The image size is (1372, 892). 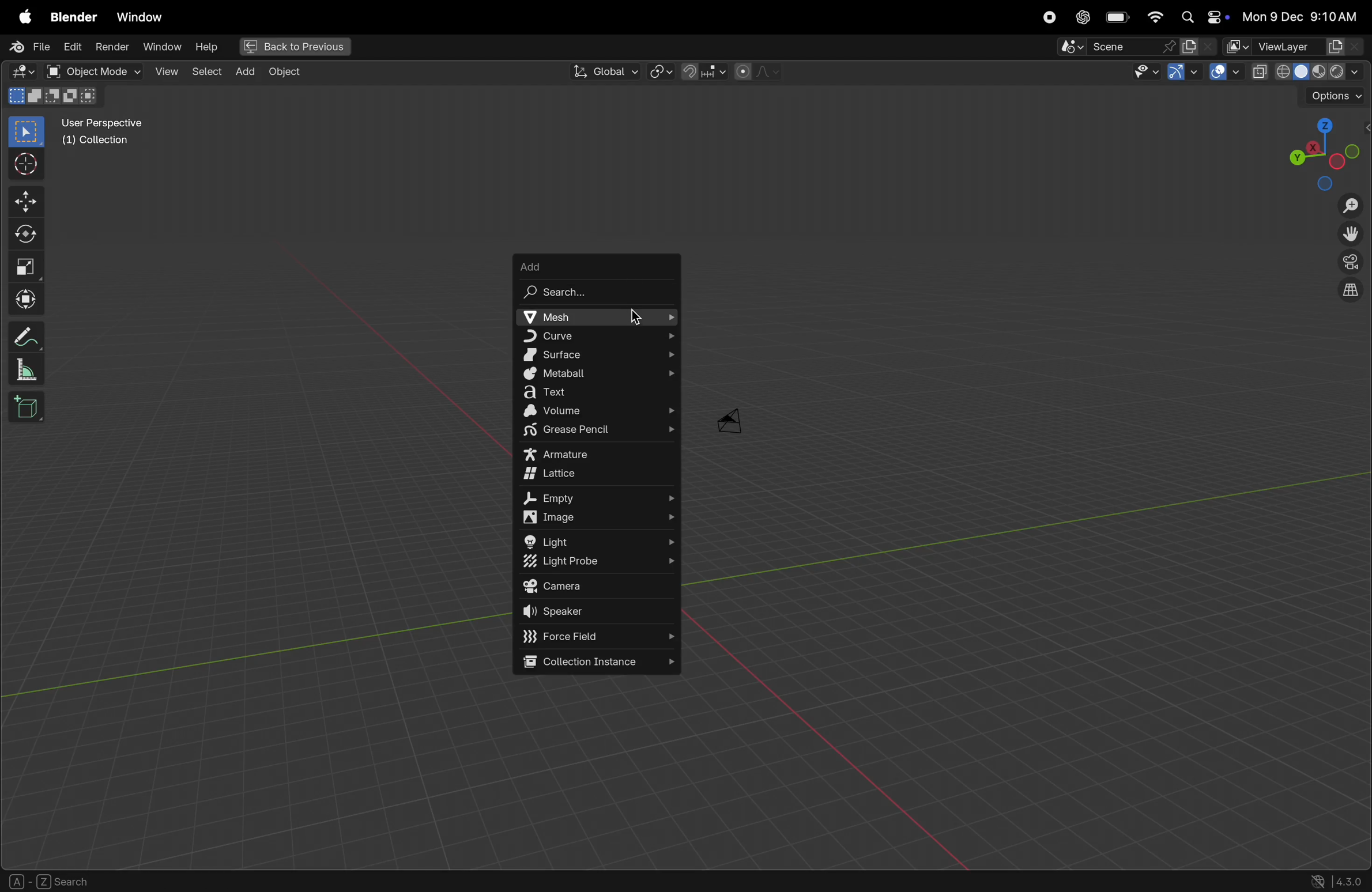 What do you see at coordinates (597, 587) in the screenshot?
I see `camera` at bounding box center [597, 587].